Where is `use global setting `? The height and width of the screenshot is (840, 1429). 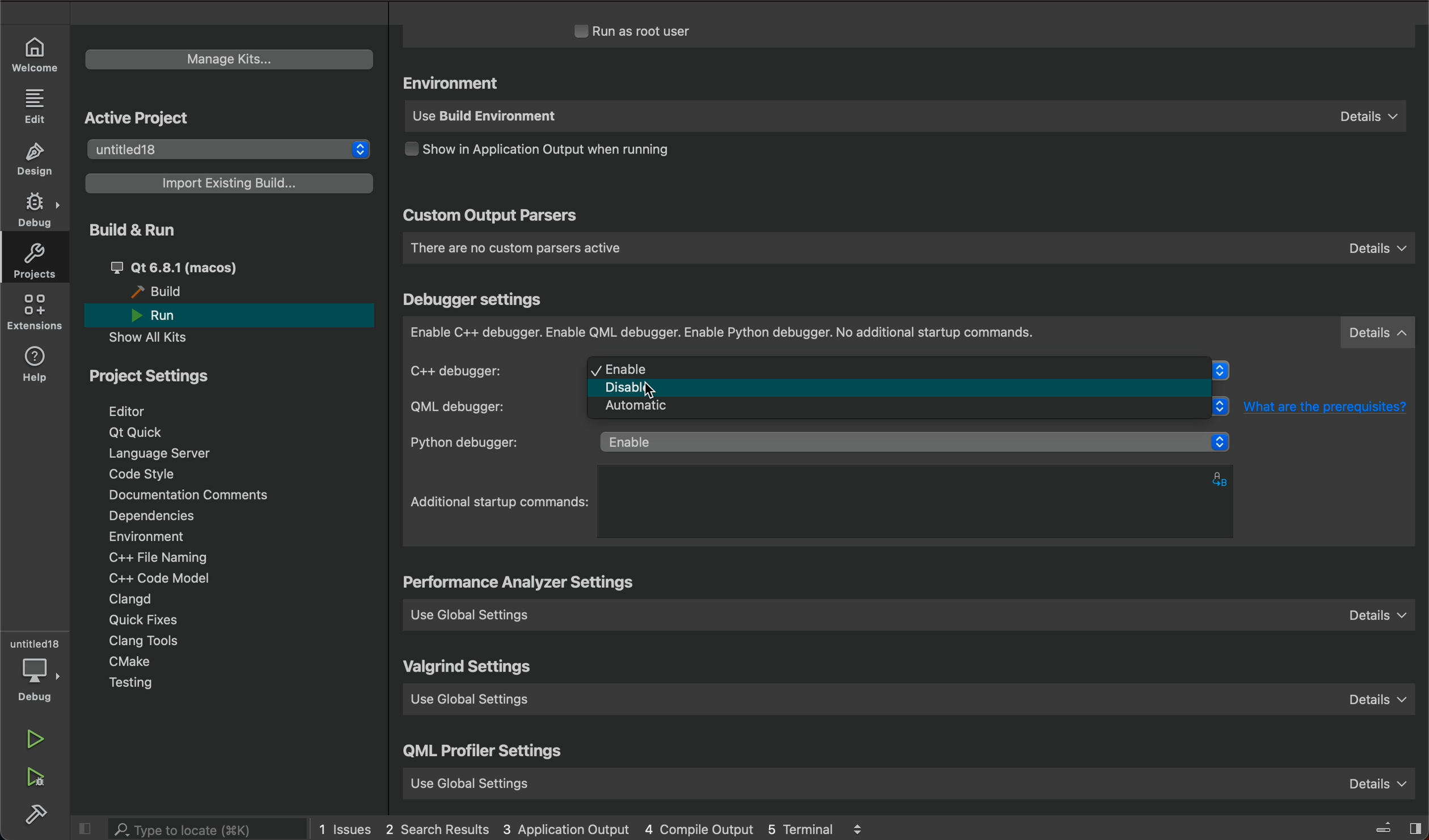 use global setting  is located at coordinates (913, 703).